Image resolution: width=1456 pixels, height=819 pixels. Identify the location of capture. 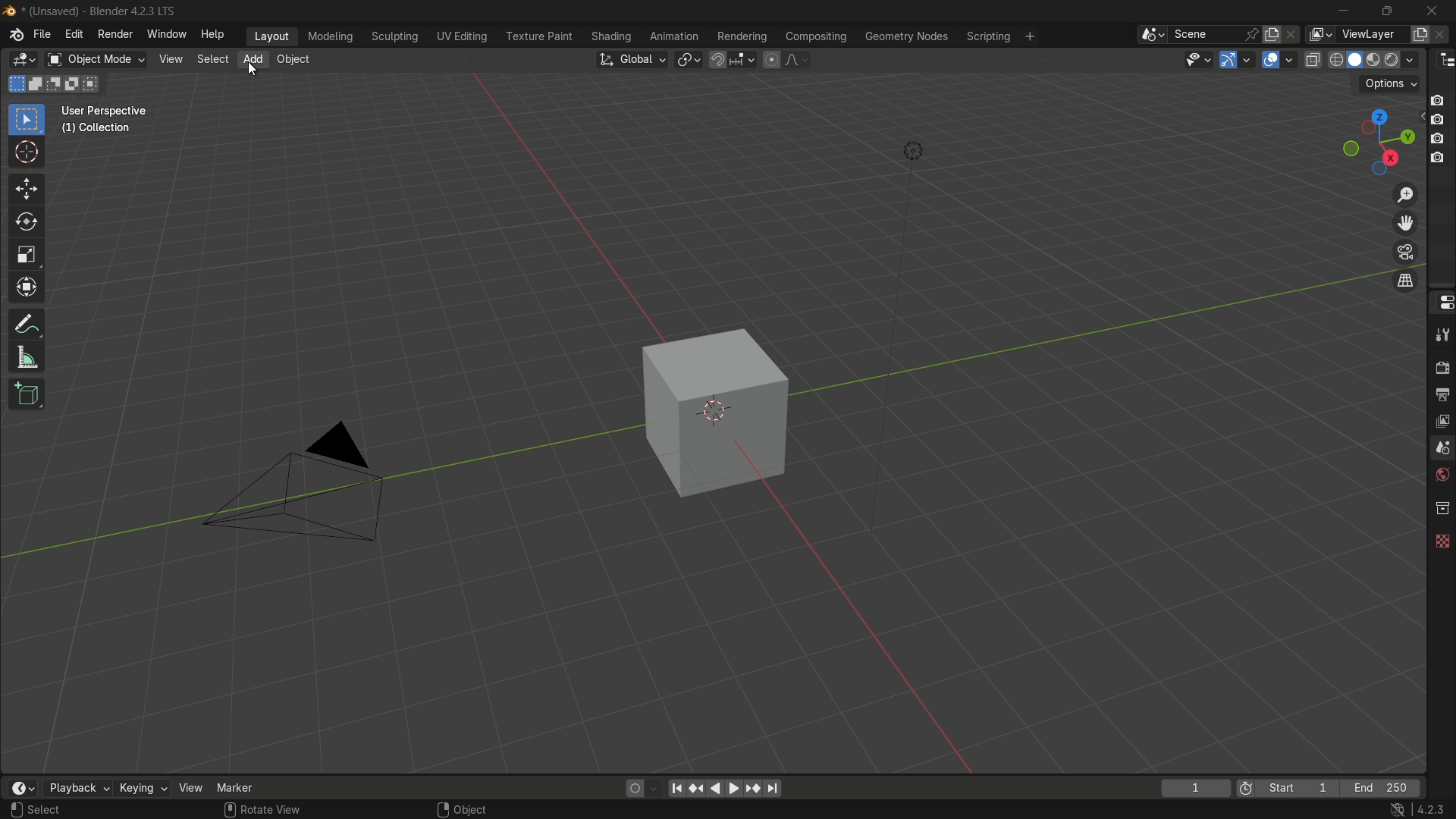
(1442, 99).